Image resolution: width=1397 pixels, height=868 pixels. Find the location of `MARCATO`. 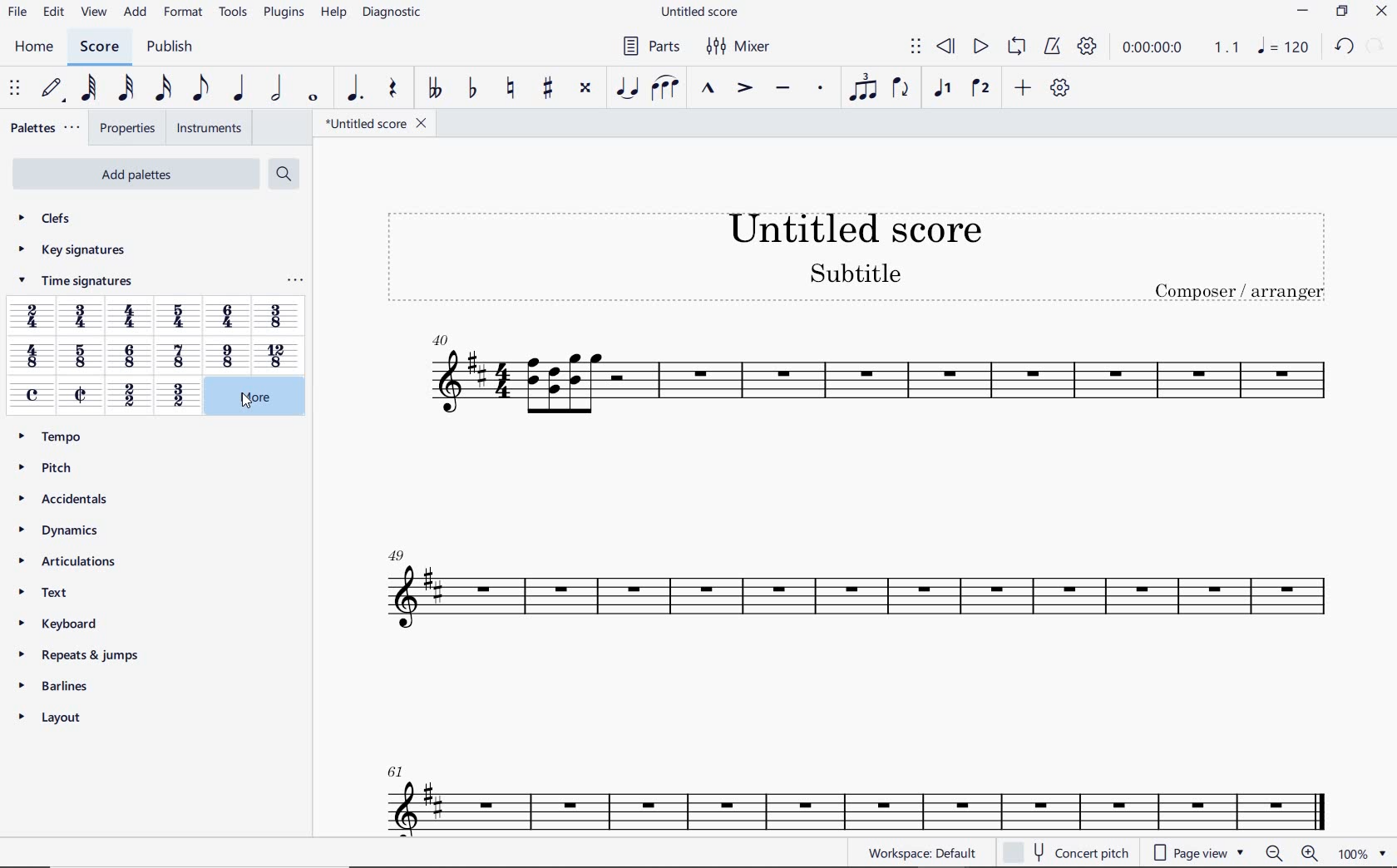

MARCATO is located at coordinates (708, 90).